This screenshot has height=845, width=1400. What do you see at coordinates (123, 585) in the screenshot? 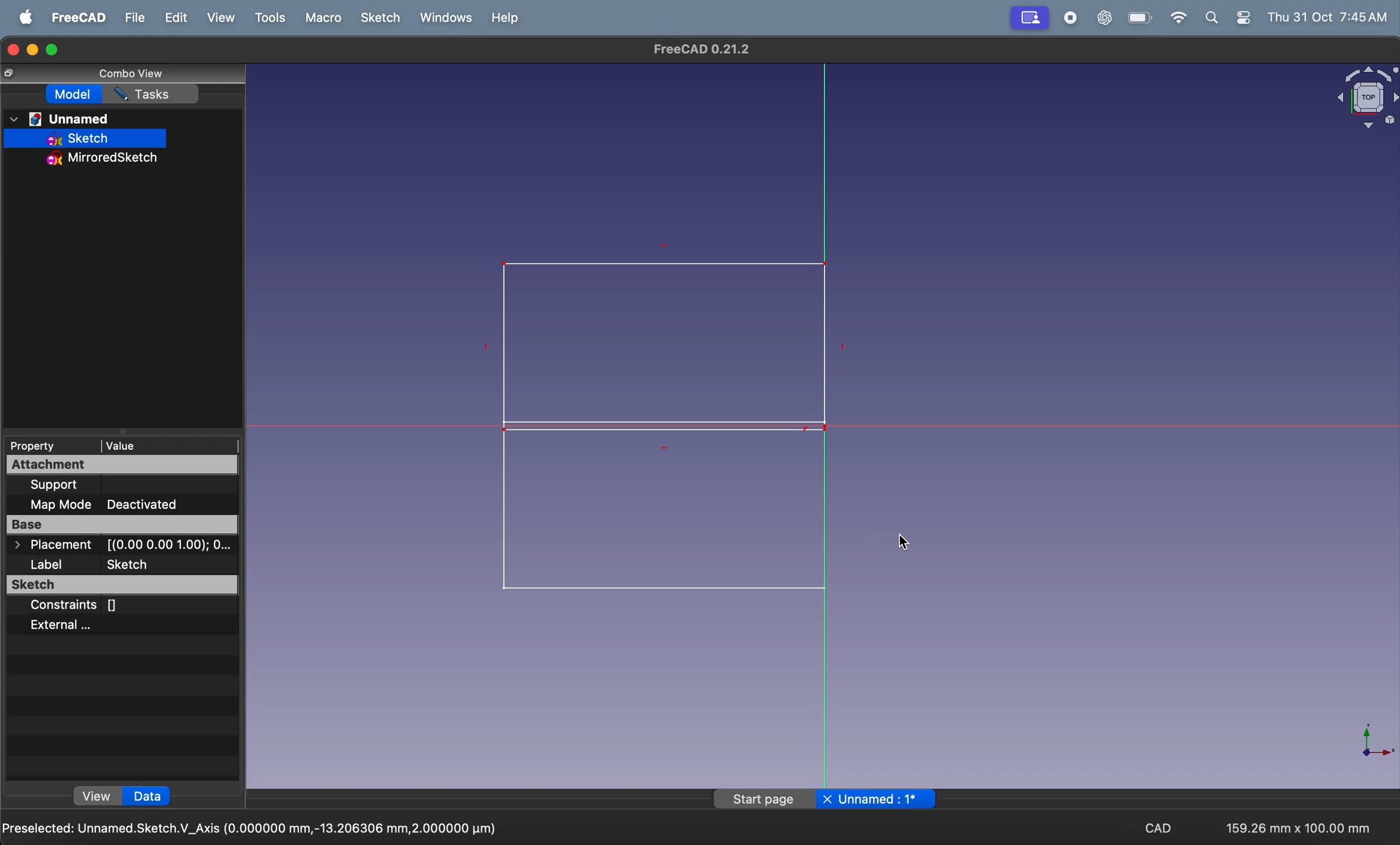
I see `sketch` at bounding box center [123, 585].